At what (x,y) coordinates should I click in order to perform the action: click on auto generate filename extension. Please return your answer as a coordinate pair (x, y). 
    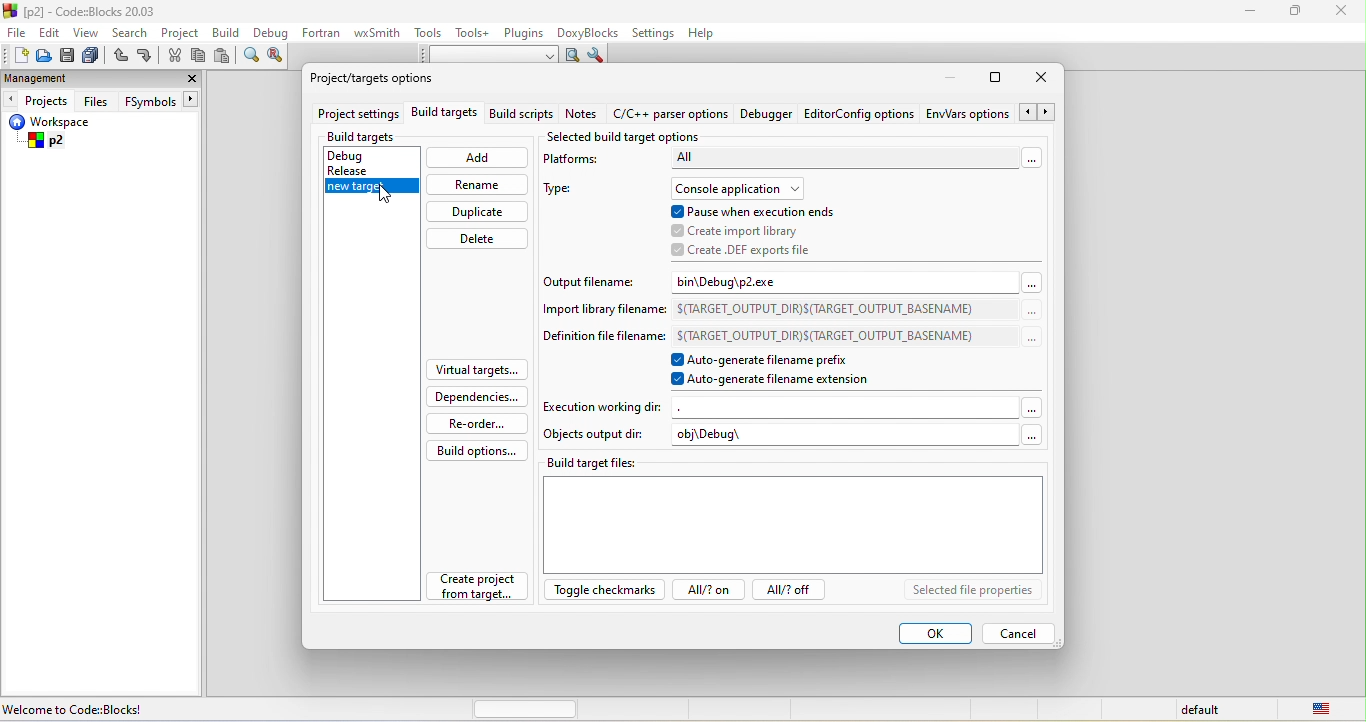
    Looking at the image, I should click on (781, 382).